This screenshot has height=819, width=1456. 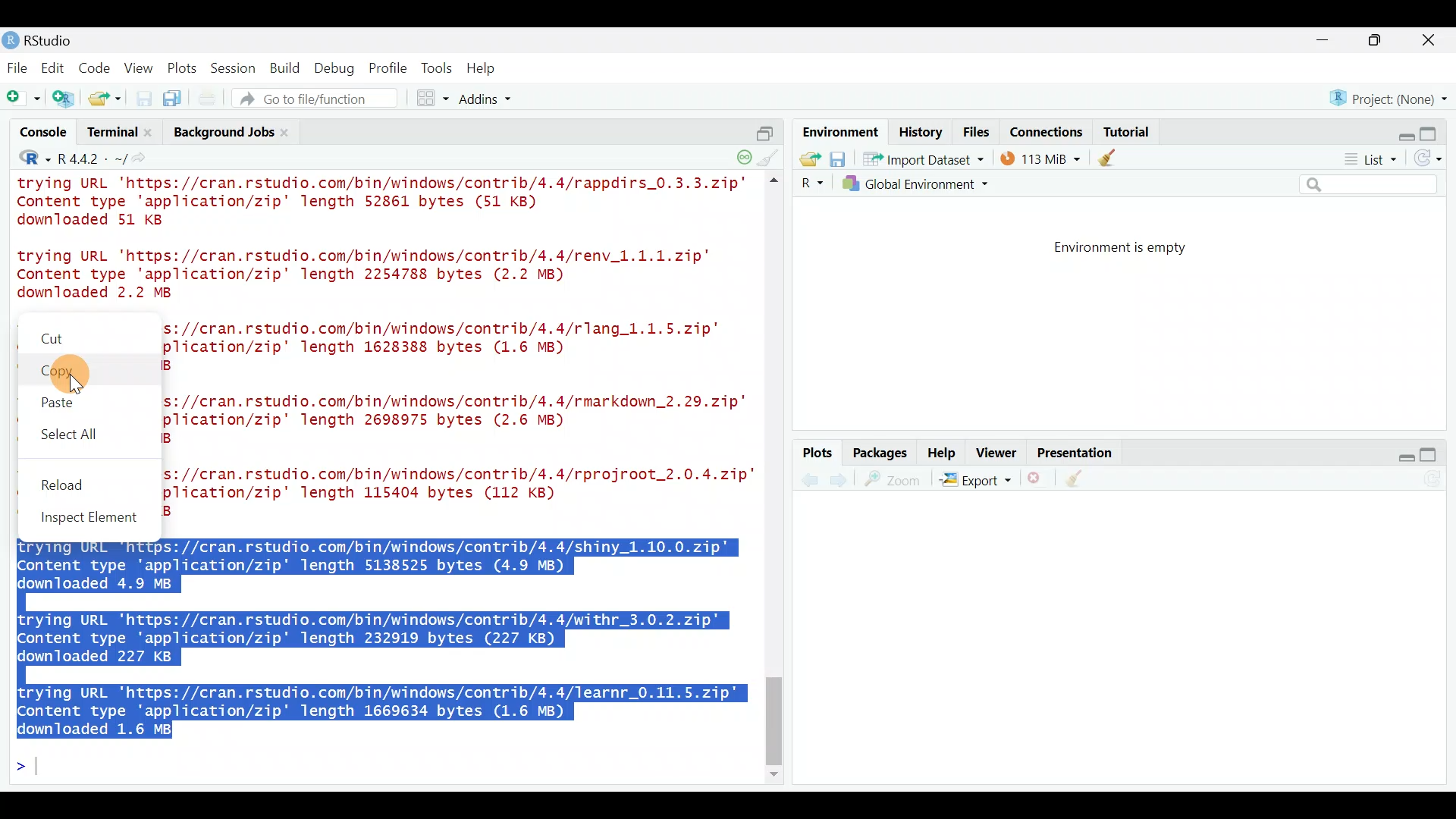 What do you see at coordinates (17, 67) in the screenshot?
I see `File` at bounding box center [17, 67].